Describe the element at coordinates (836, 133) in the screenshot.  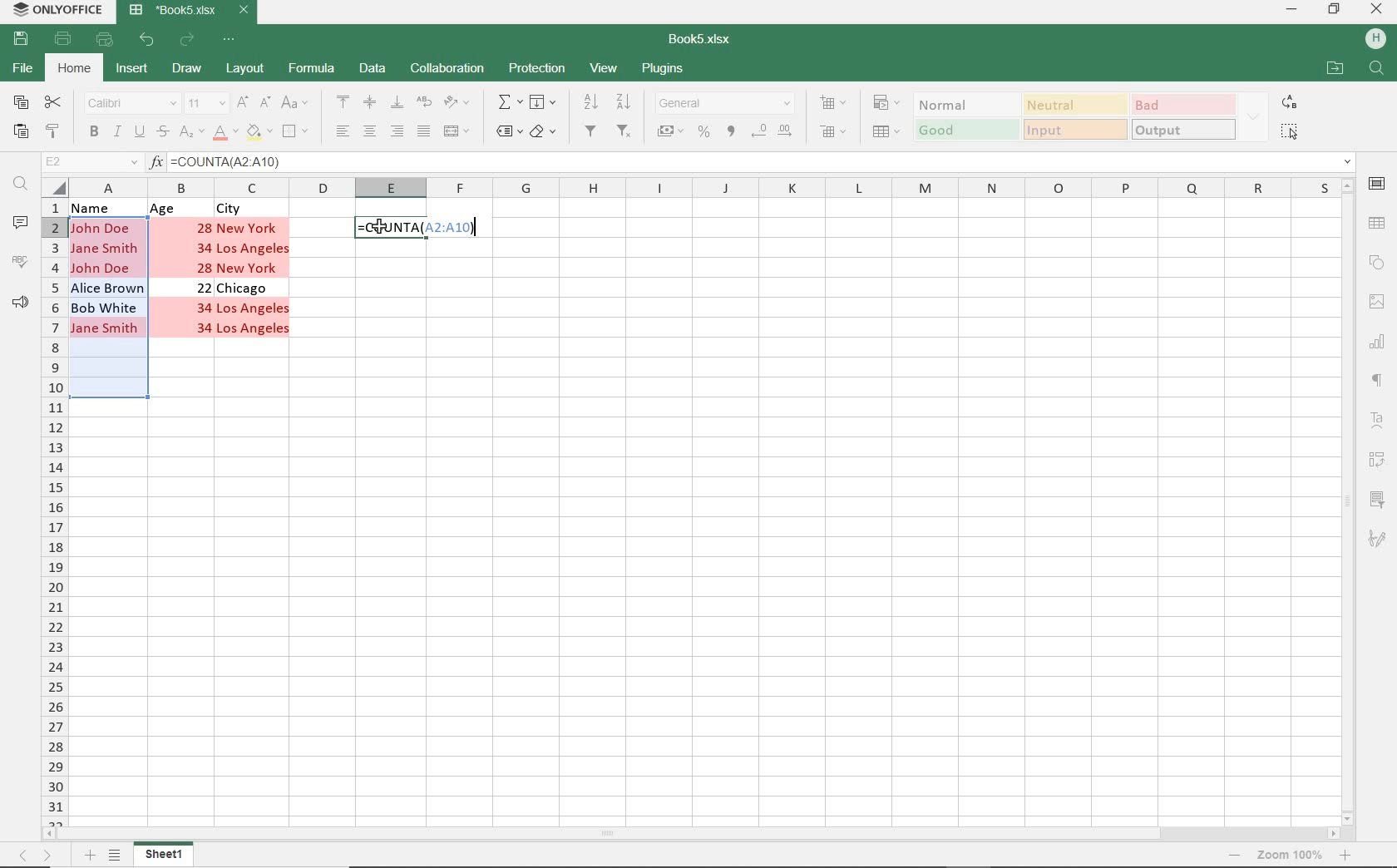
I see `DELETE CELLS` at that location.